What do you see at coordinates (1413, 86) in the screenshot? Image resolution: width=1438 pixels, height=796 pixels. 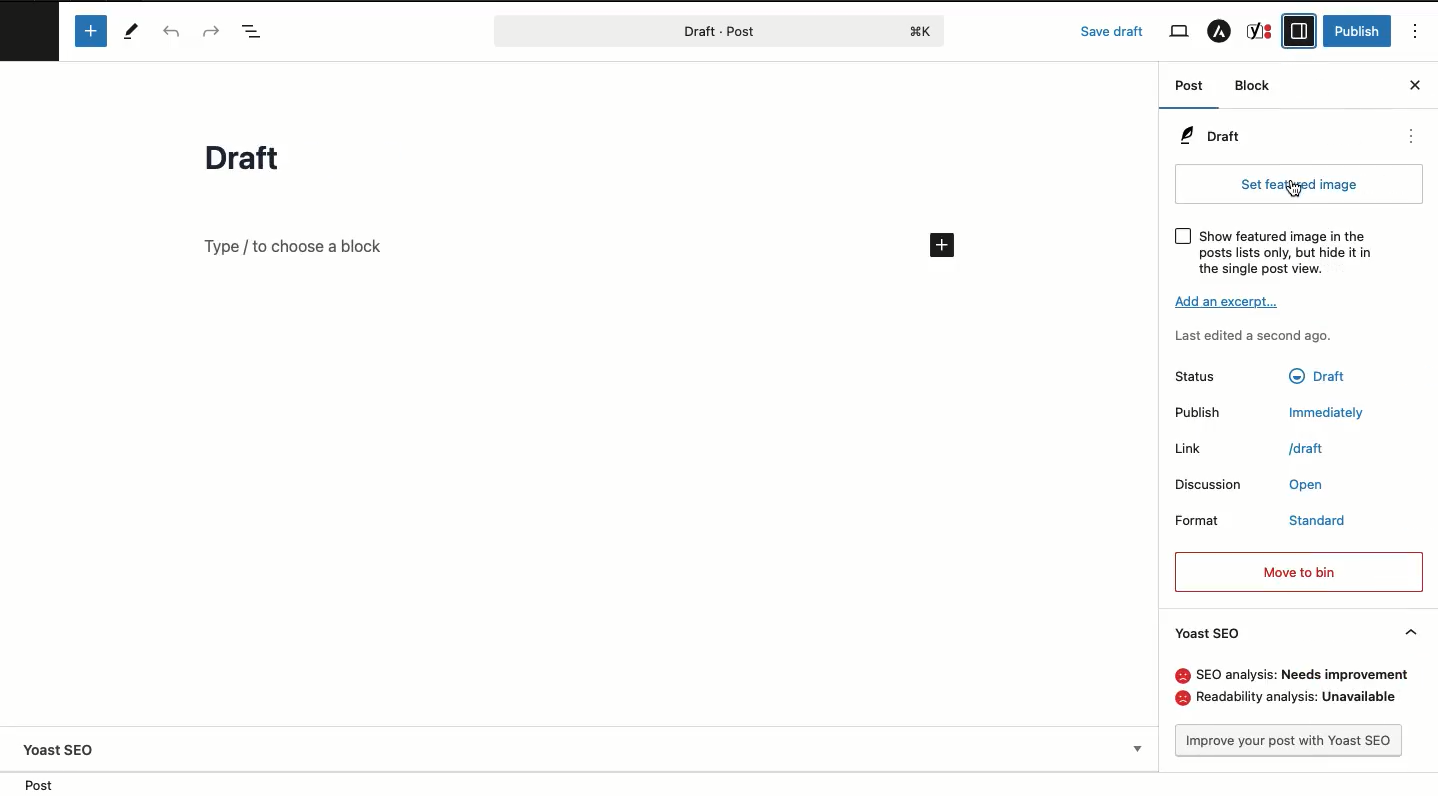 I see `Close` at bounding box center [1413, 86].